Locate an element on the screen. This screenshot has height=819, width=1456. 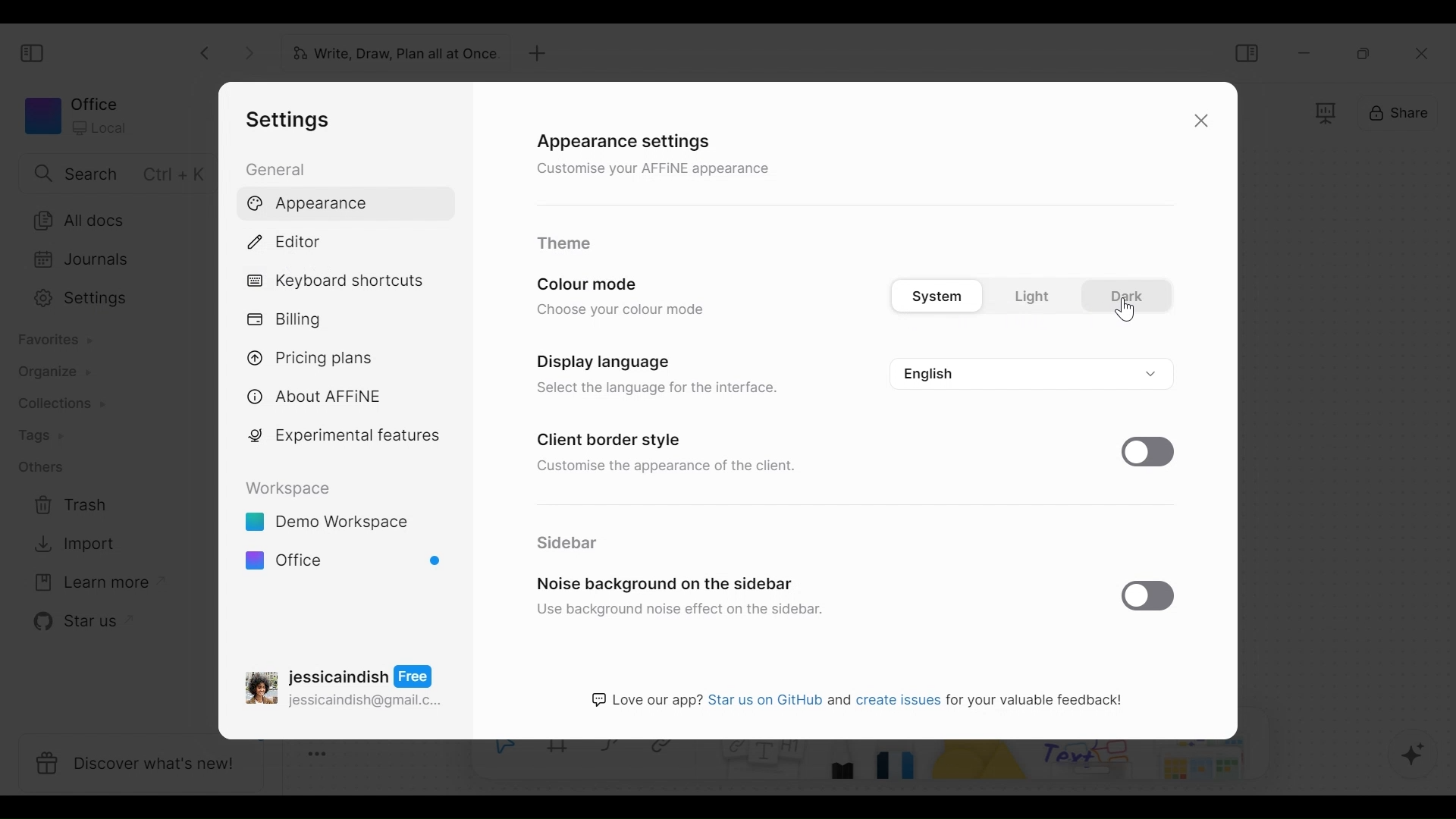
Frame is located at coordinates (1327, 114).